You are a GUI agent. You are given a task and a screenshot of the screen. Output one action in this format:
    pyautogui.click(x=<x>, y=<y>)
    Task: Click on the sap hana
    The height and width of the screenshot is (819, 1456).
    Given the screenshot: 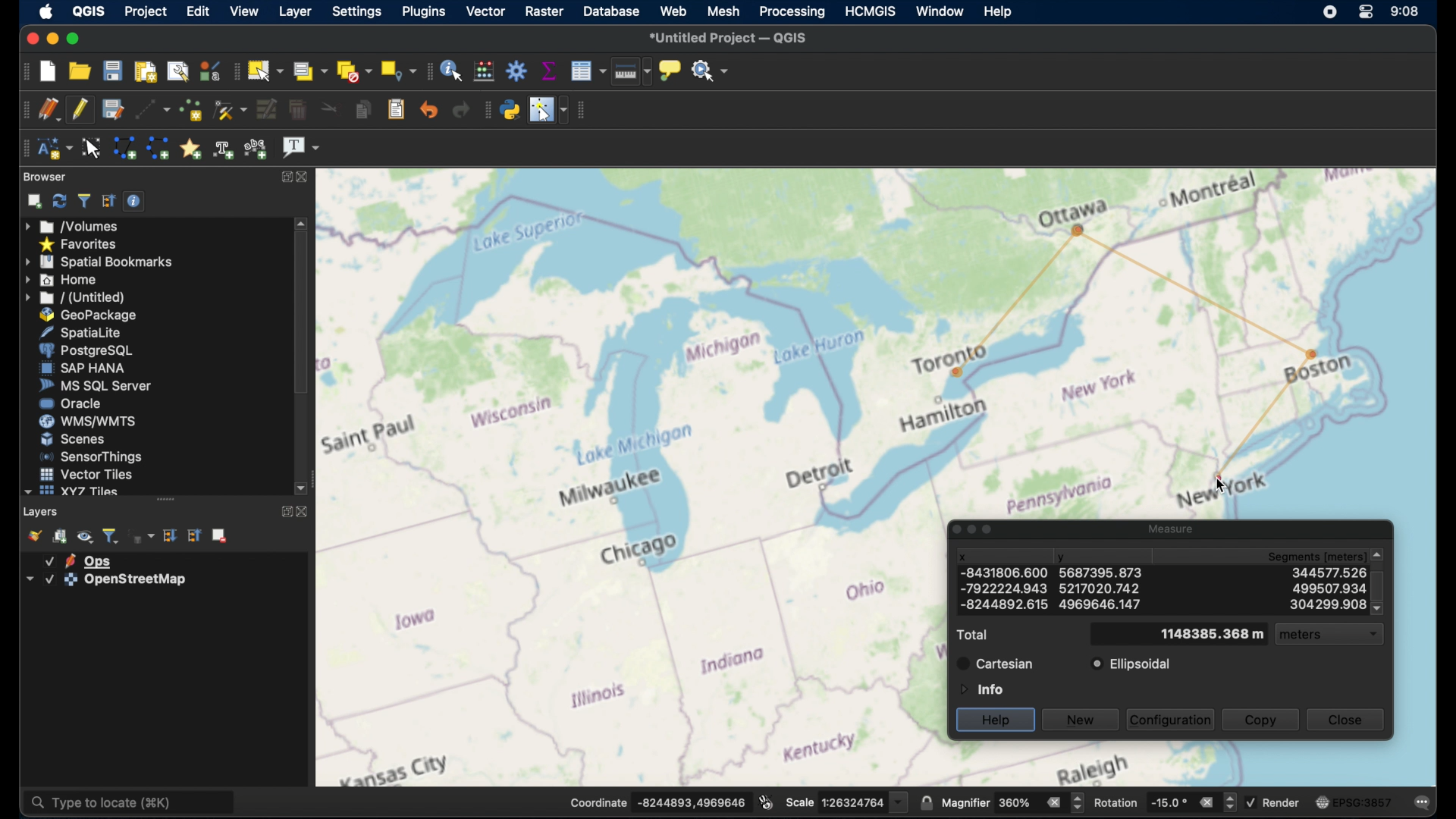 What is the action you would take?
    pyautogui.click(x=83, y=369)
    